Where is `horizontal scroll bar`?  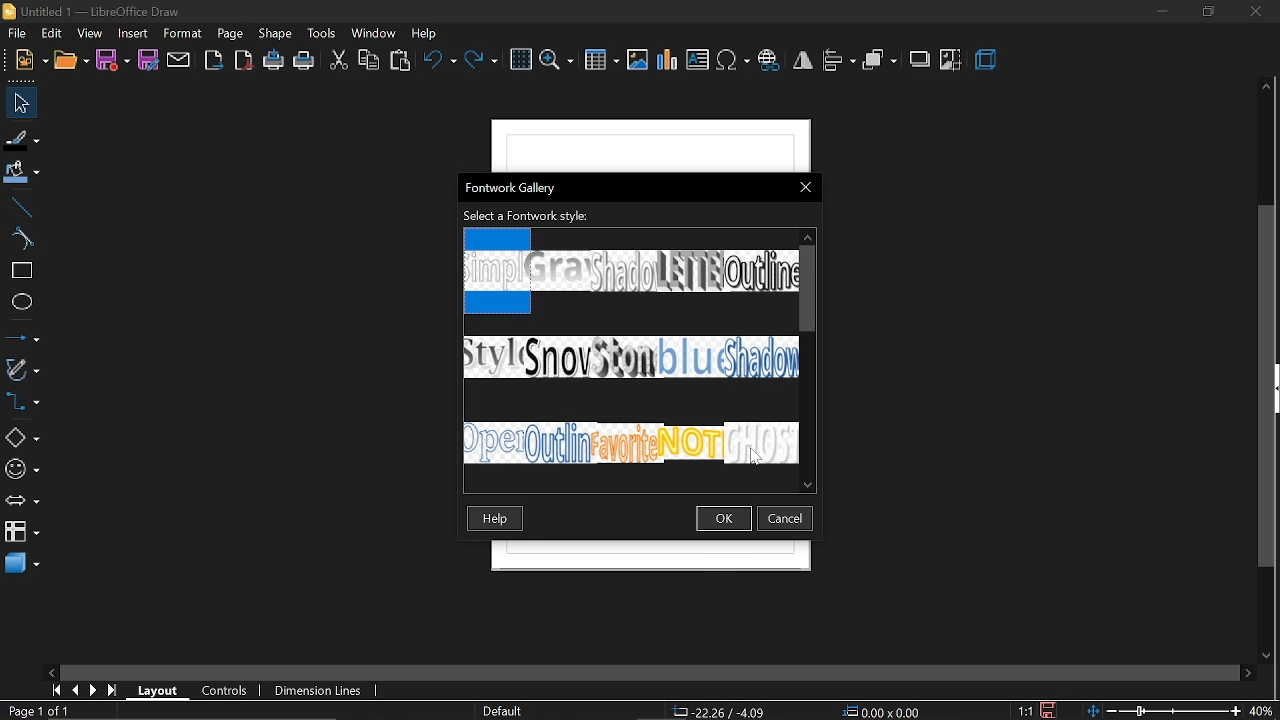
horizontal scroll bar is located at coordinates (655, 673).